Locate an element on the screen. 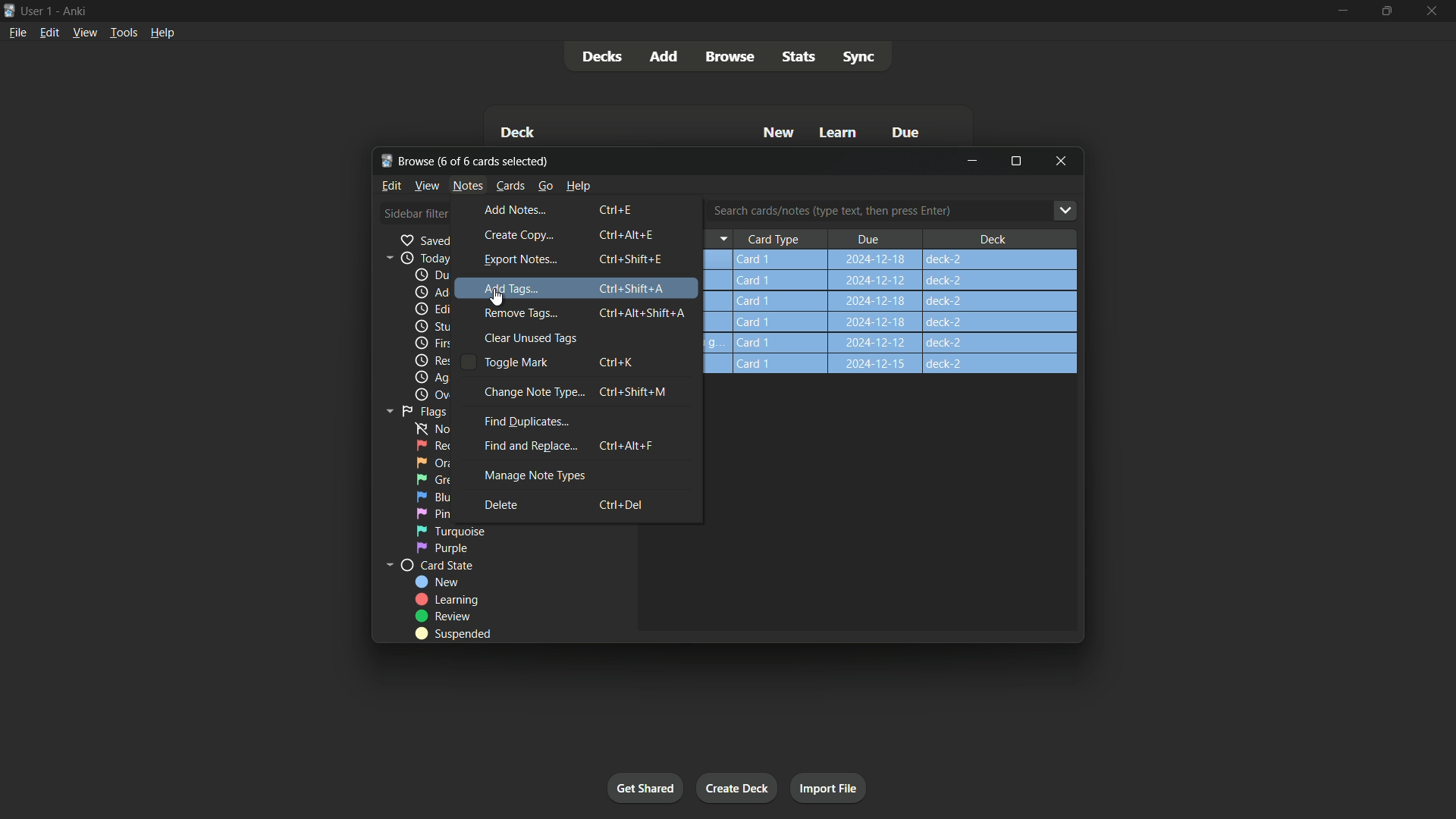 Image resolution: width=1456 pixels, height=819 pixels. go is located at coordinates (544, 186).